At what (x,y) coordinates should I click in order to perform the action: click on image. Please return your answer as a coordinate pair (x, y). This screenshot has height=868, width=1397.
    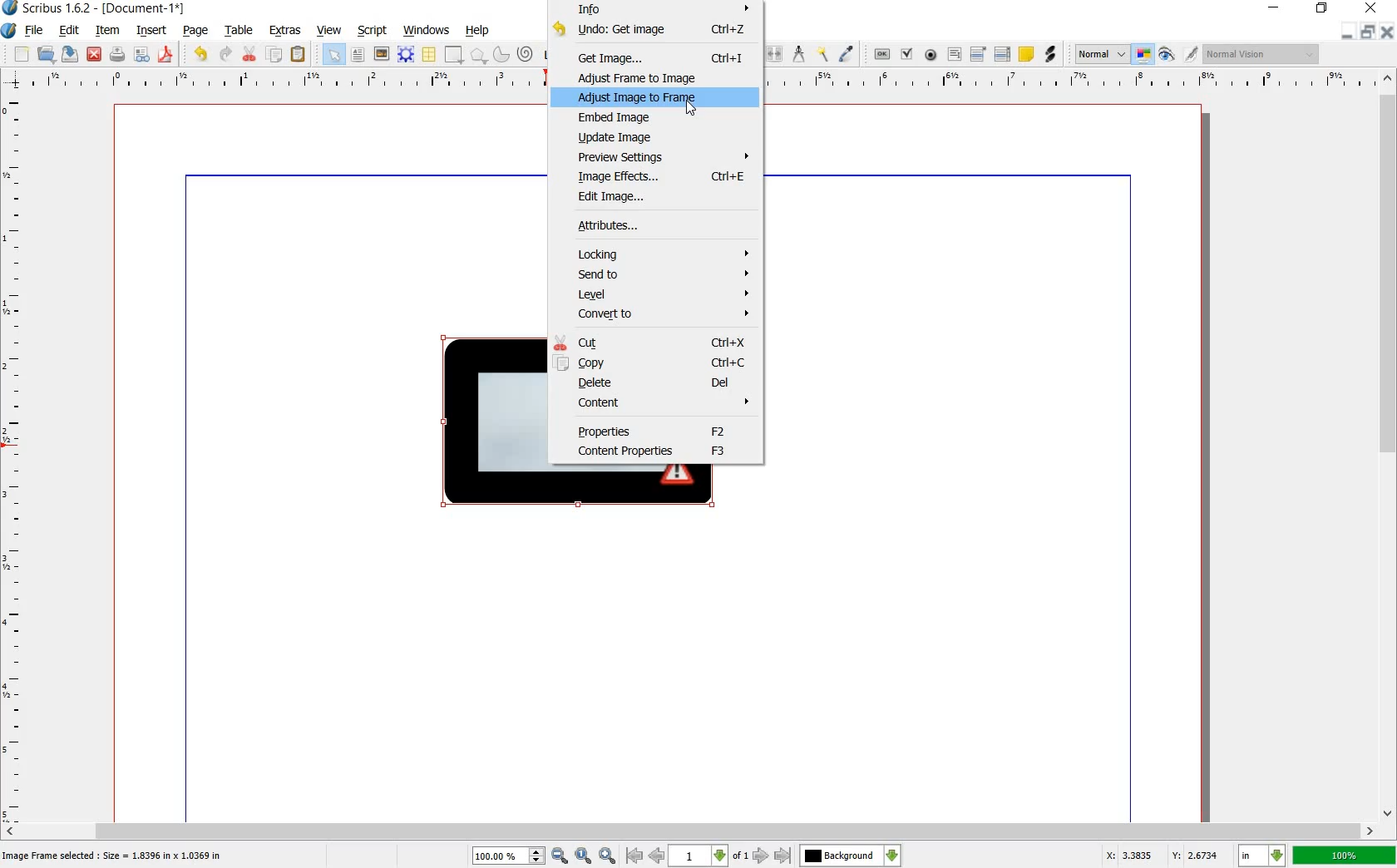
    Looking at the image, I should click on (380, 53).